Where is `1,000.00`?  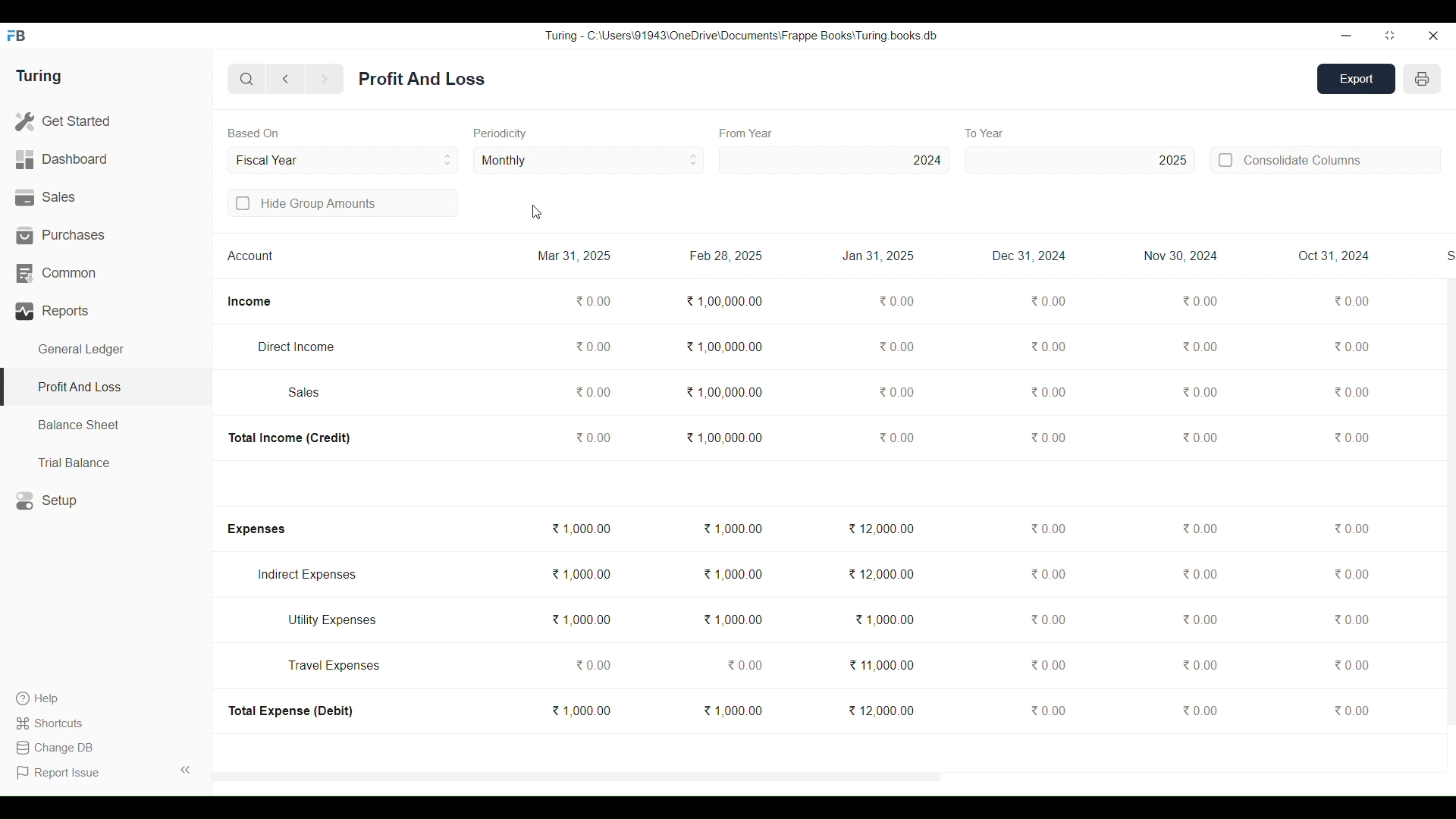
1,000.00 is located at coordinates (884, 620).